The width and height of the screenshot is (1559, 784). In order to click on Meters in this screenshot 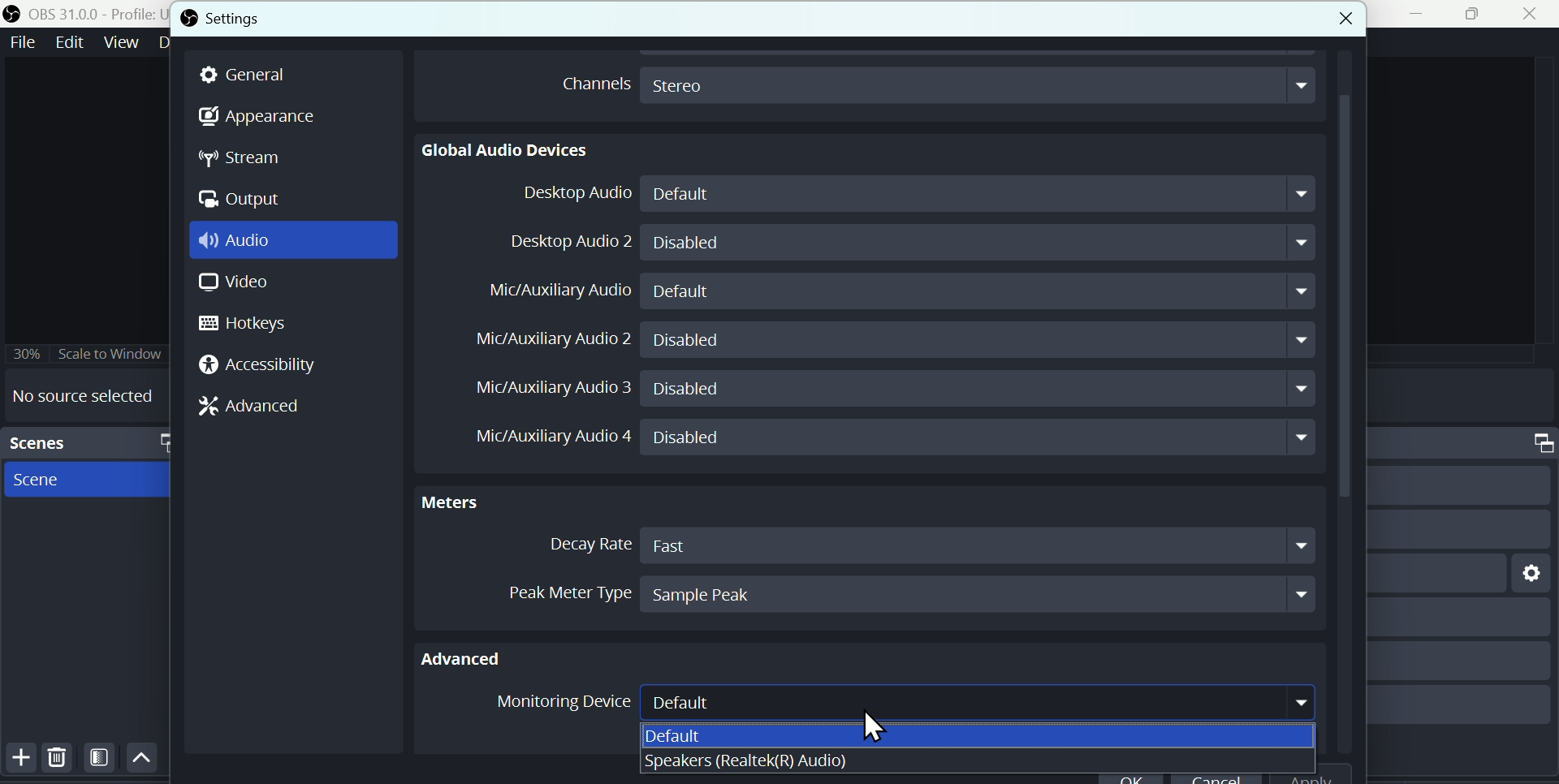, I will do `click(463, 500)`.